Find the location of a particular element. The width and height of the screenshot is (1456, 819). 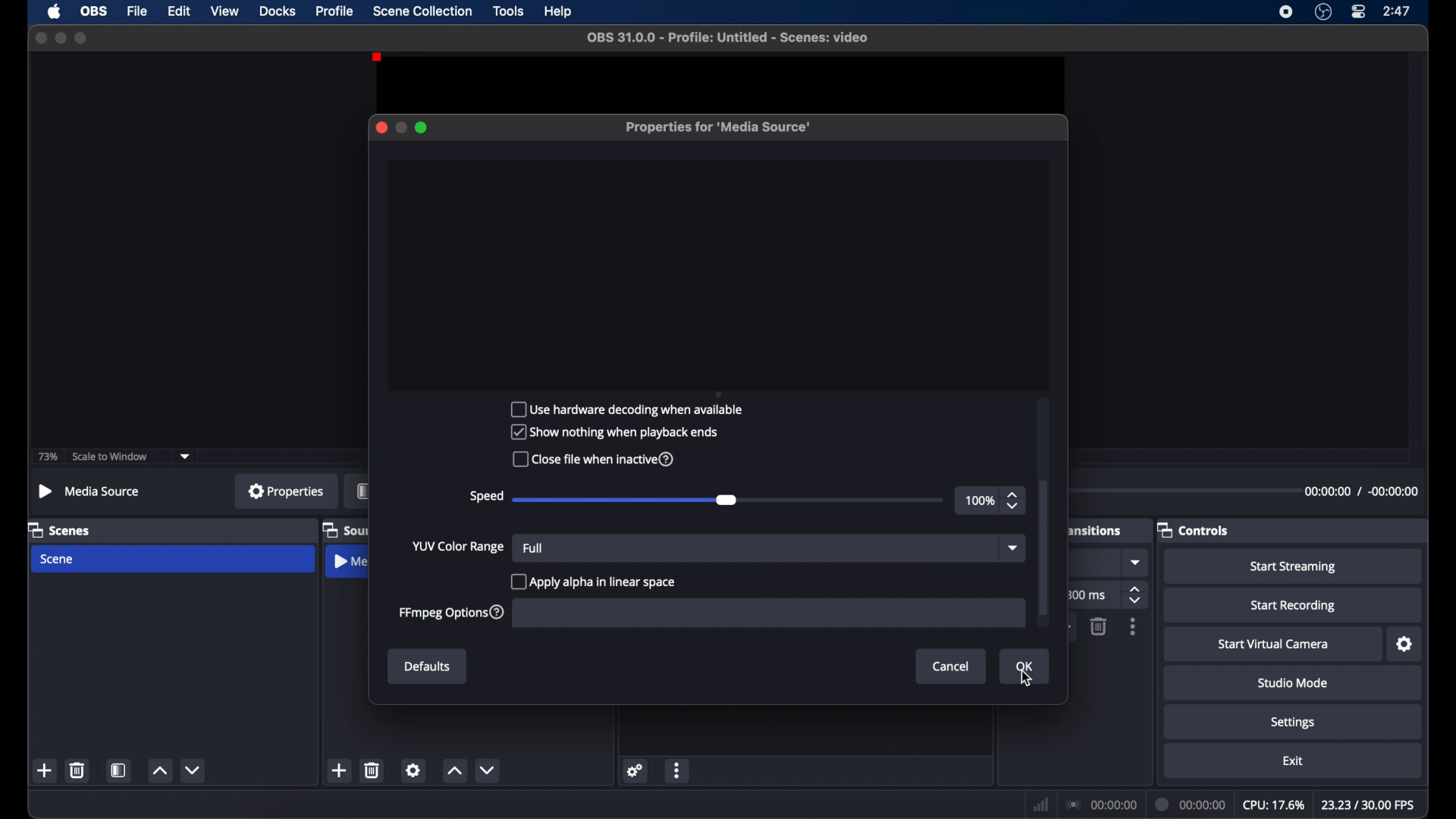

ffmpeg options is located at coordinates (453, 613).